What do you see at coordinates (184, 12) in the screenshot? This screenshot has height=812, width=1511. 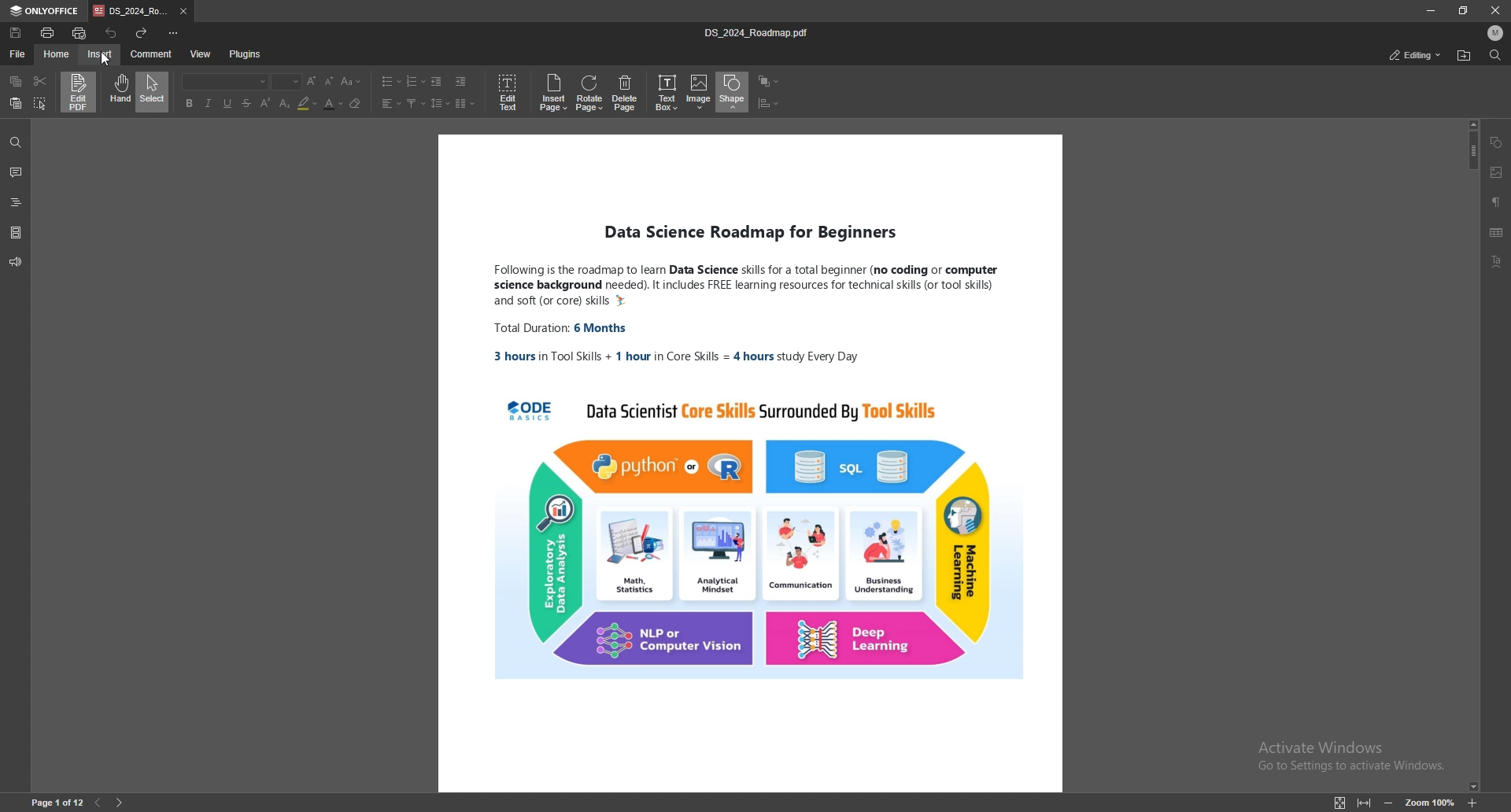 I see `close tab` at bounding box center [184, 12].